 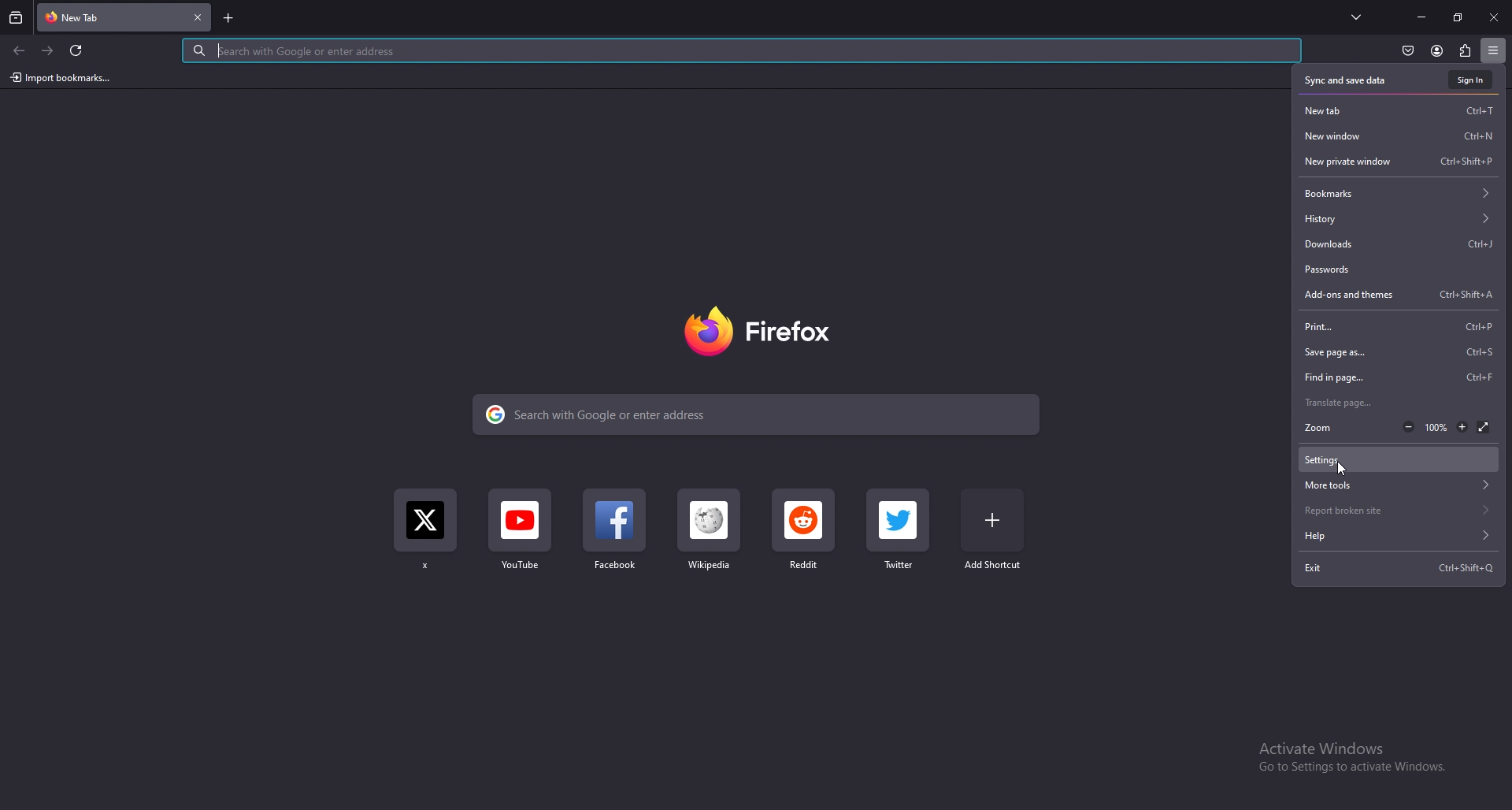 What do you see at coordinates (425, 536) in the screenshot?
I see `twitter` at bounding box center [425, 536].